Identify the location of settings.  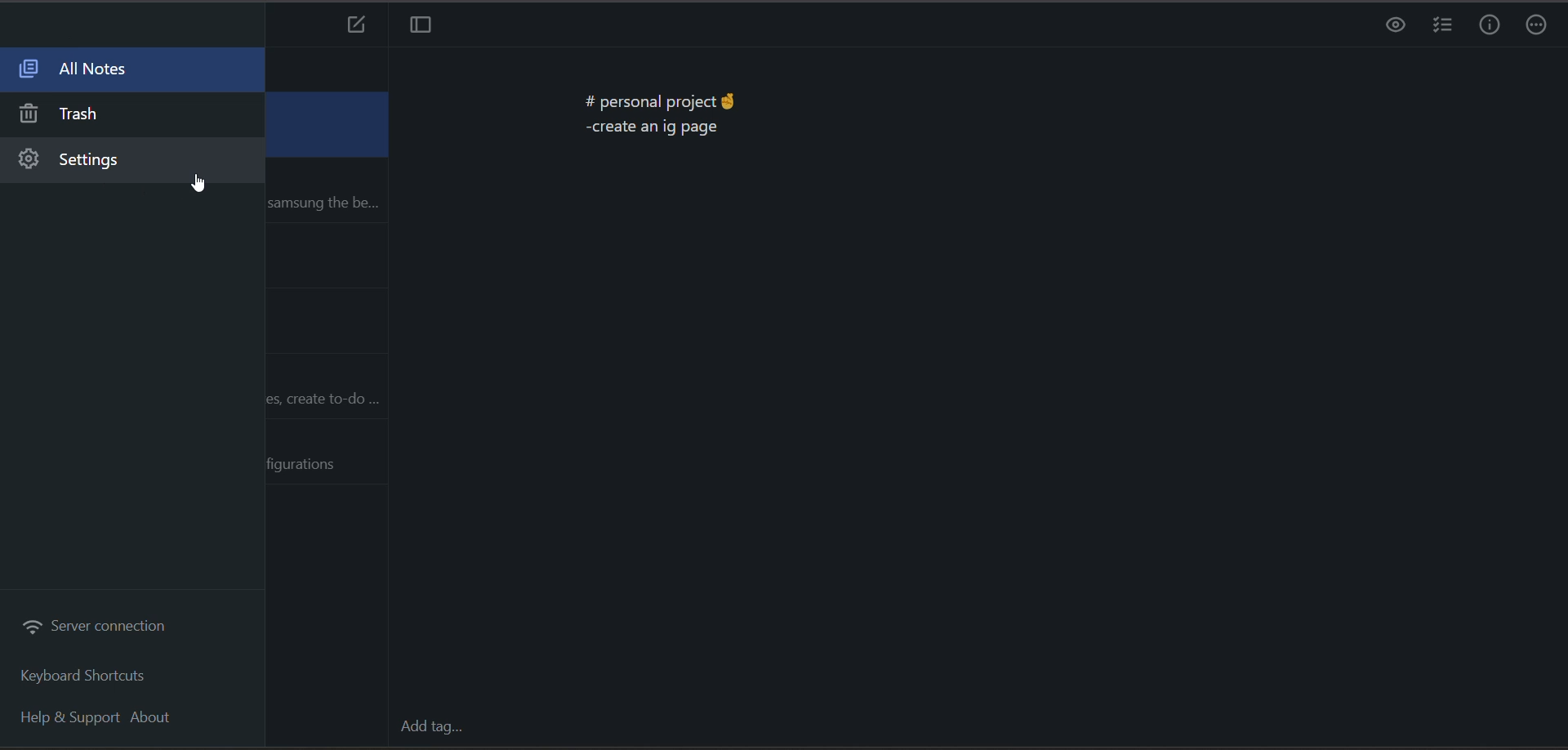
(121, 163).